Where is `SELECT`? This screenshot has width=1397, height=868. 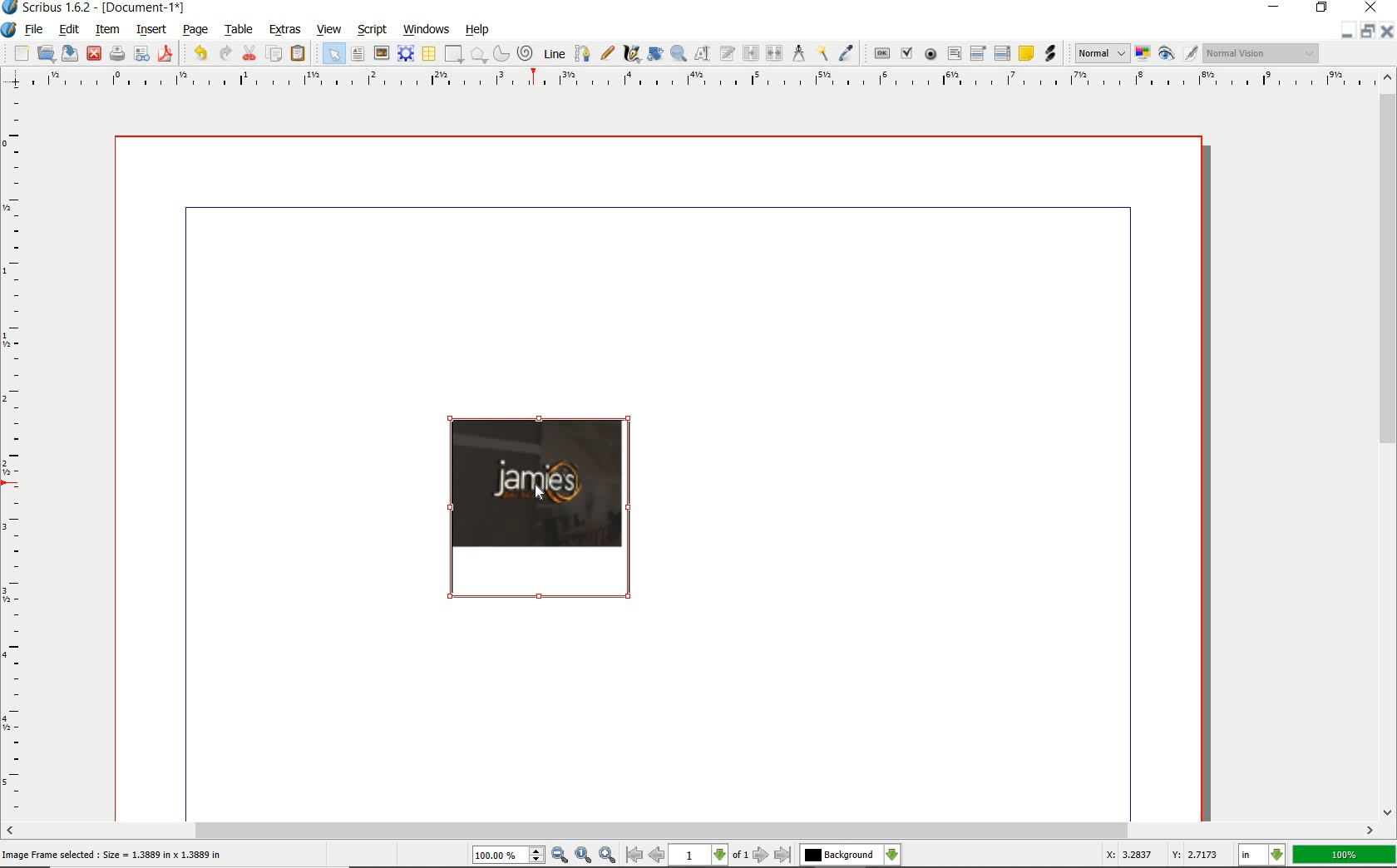
SELECT is located at coordinates (333, 53).